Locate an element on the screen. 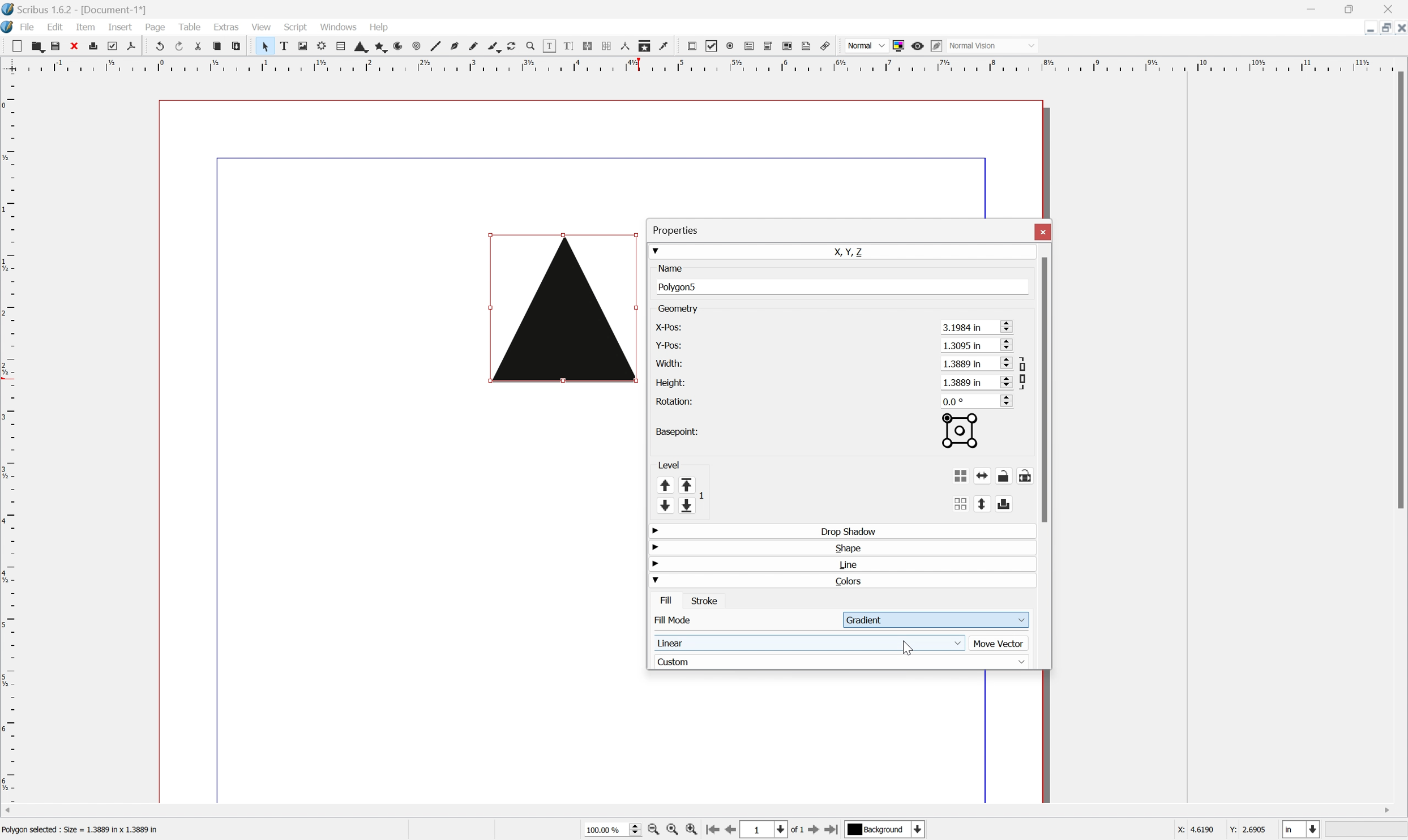 The width and height of the screenshot is (1408, 840). Go to first page is located at coordinates (712, 830).